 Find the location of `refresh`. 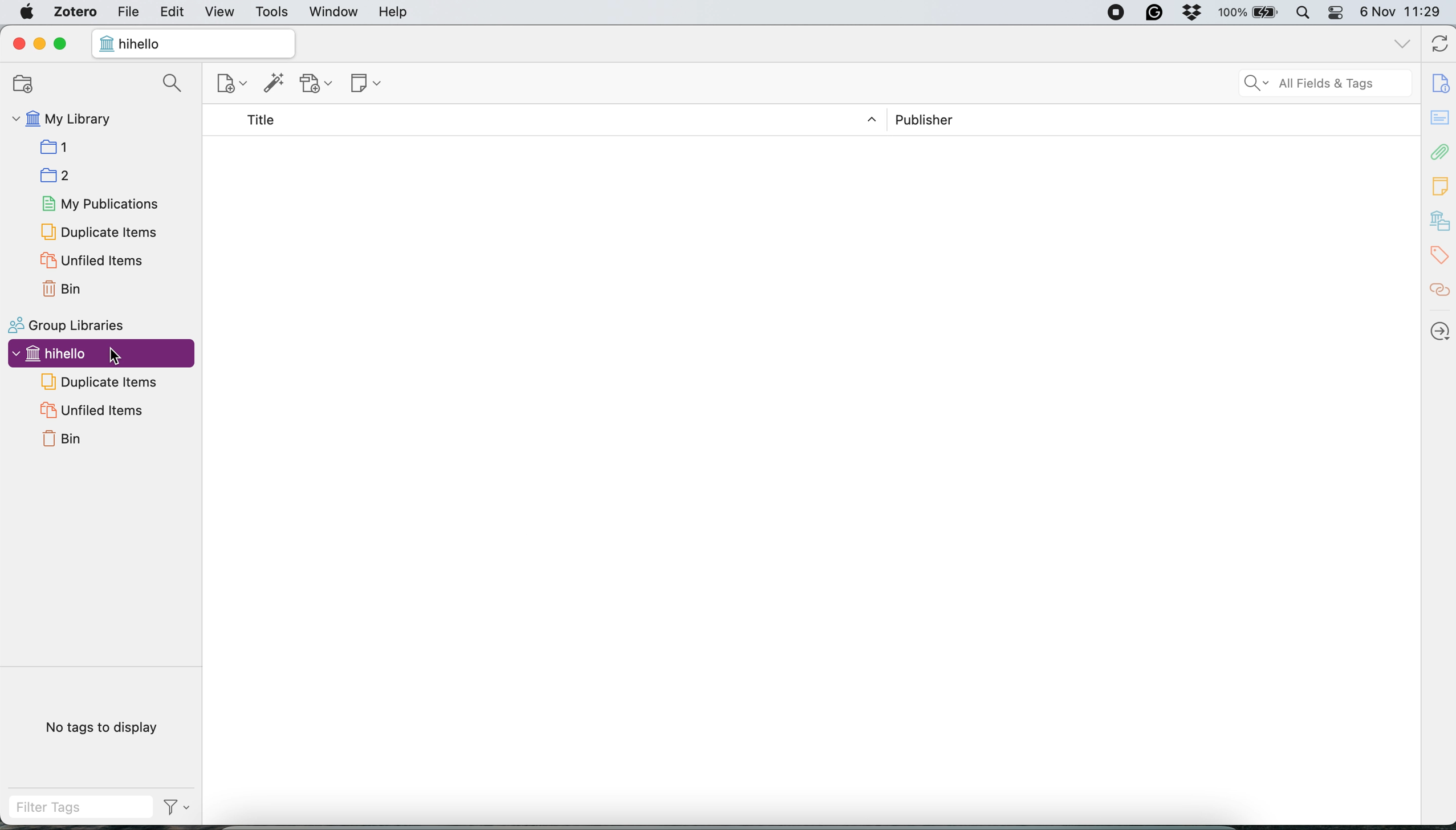

refresh is located at coordinates (1437, 44).